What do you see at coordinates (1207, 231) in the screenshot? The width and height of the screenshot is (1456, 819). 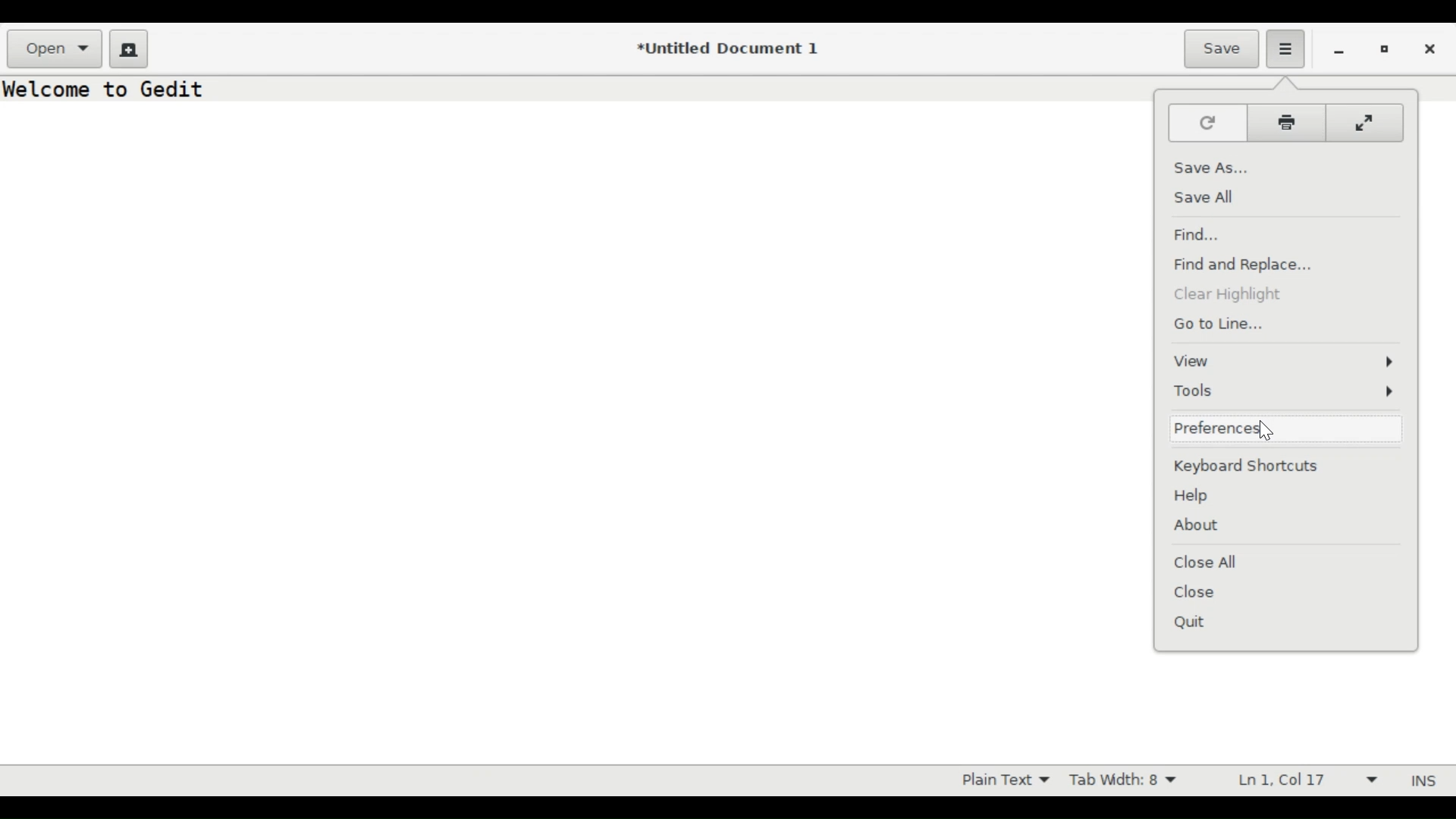 I see `Find` at bounding box center [1207, 231].